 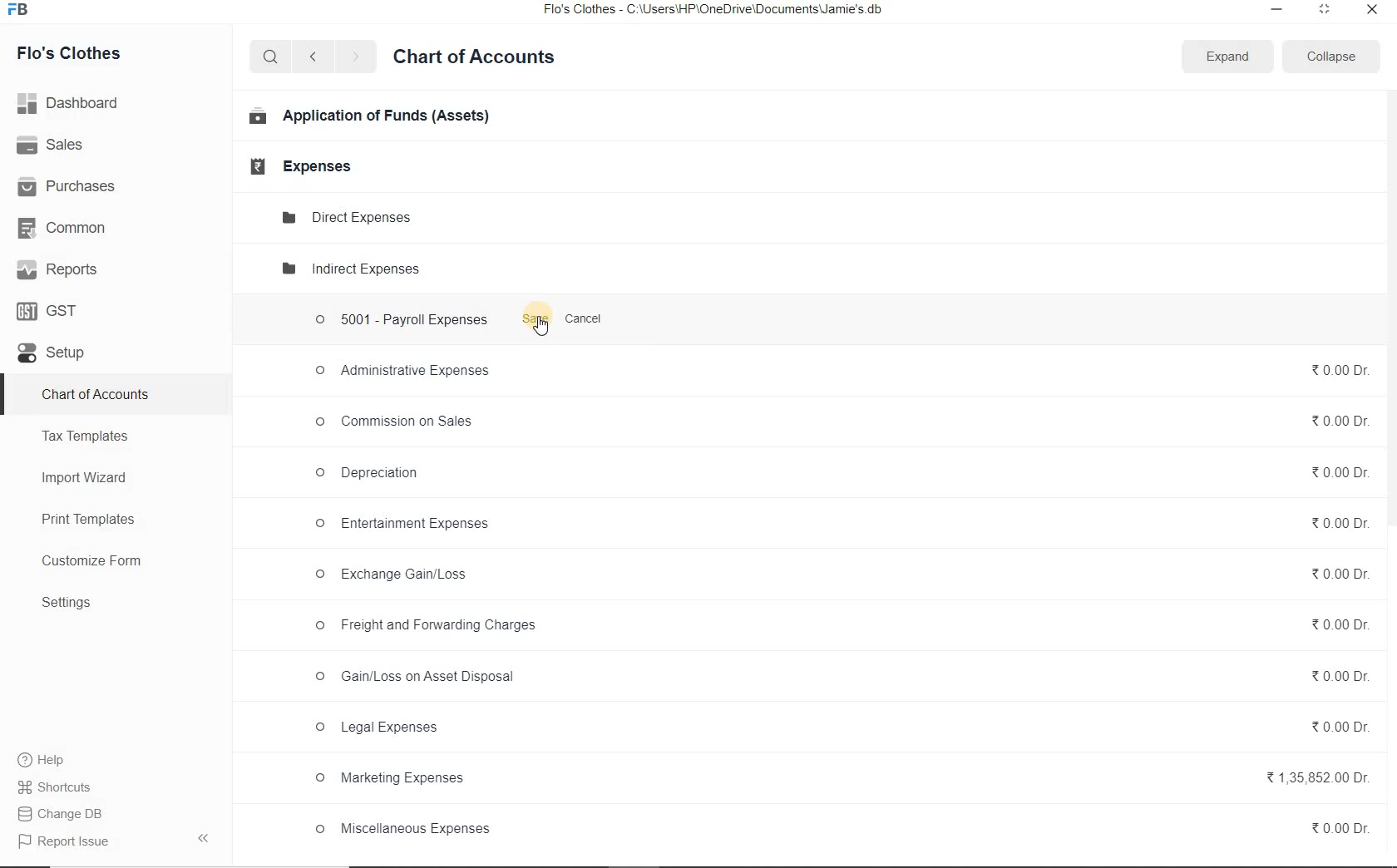 What do you see at coordinates (1370, 13) in the screenshot?
I see `close` at bounding box center [1370, 13].